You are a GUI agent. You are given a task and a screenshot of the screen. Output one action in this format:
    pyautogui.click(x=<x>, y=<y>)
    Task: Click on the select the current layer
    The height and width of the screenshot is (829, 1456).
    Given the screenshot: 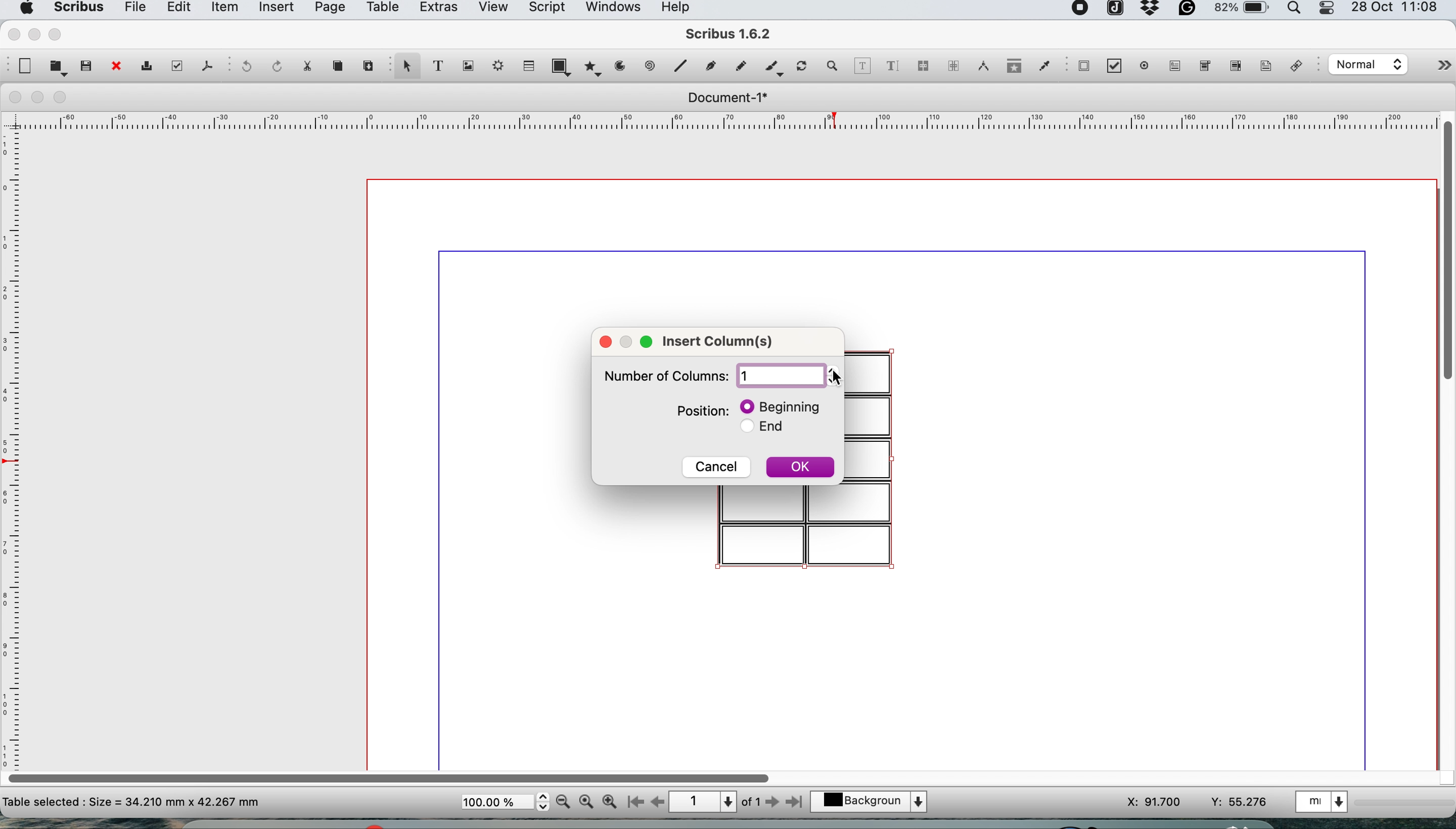 What is the action you would take?
    pyautogui.click(x=875, y=803)
    